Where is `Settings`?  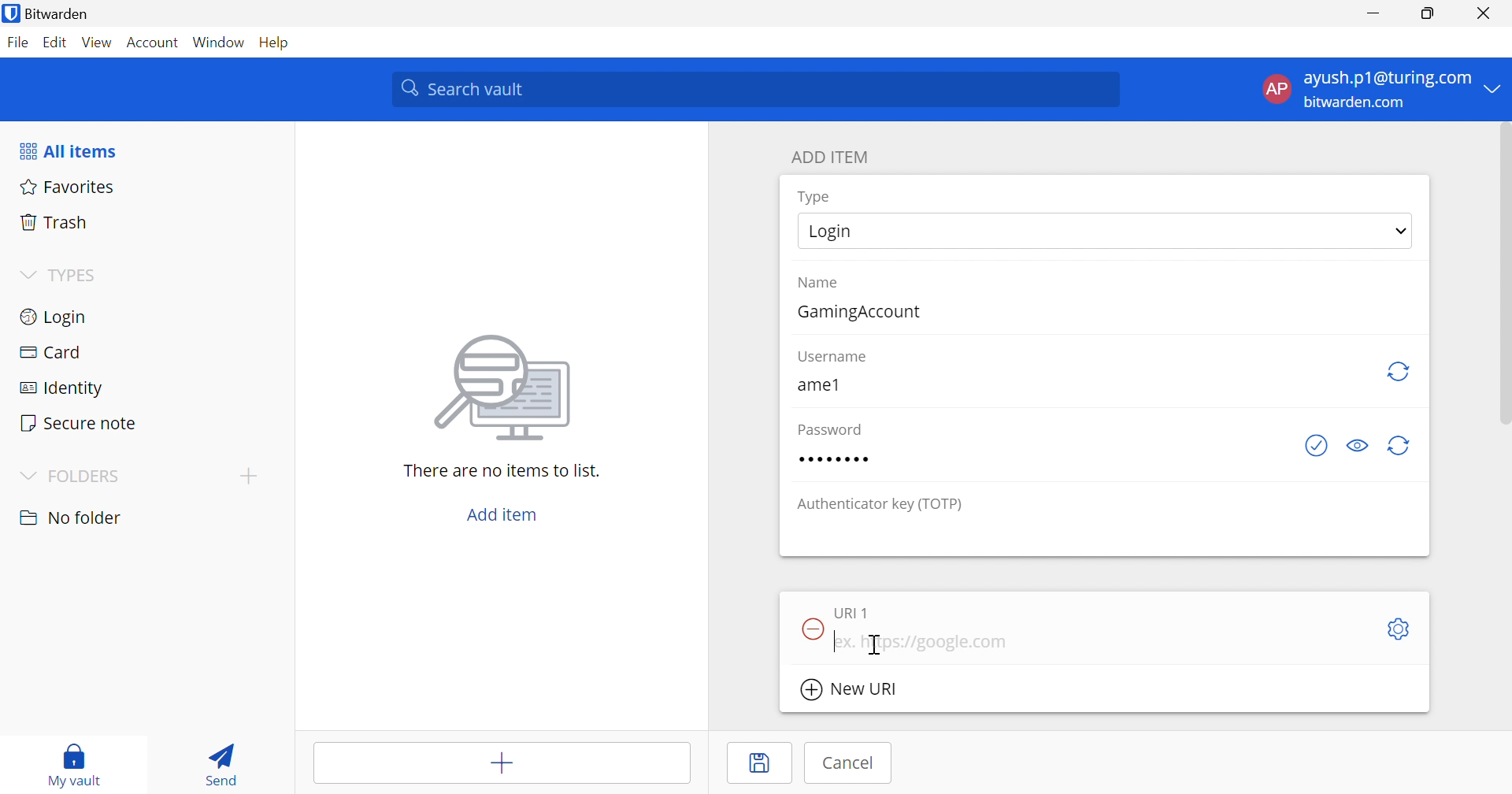
Settings is located at coordinates (1402, 629).